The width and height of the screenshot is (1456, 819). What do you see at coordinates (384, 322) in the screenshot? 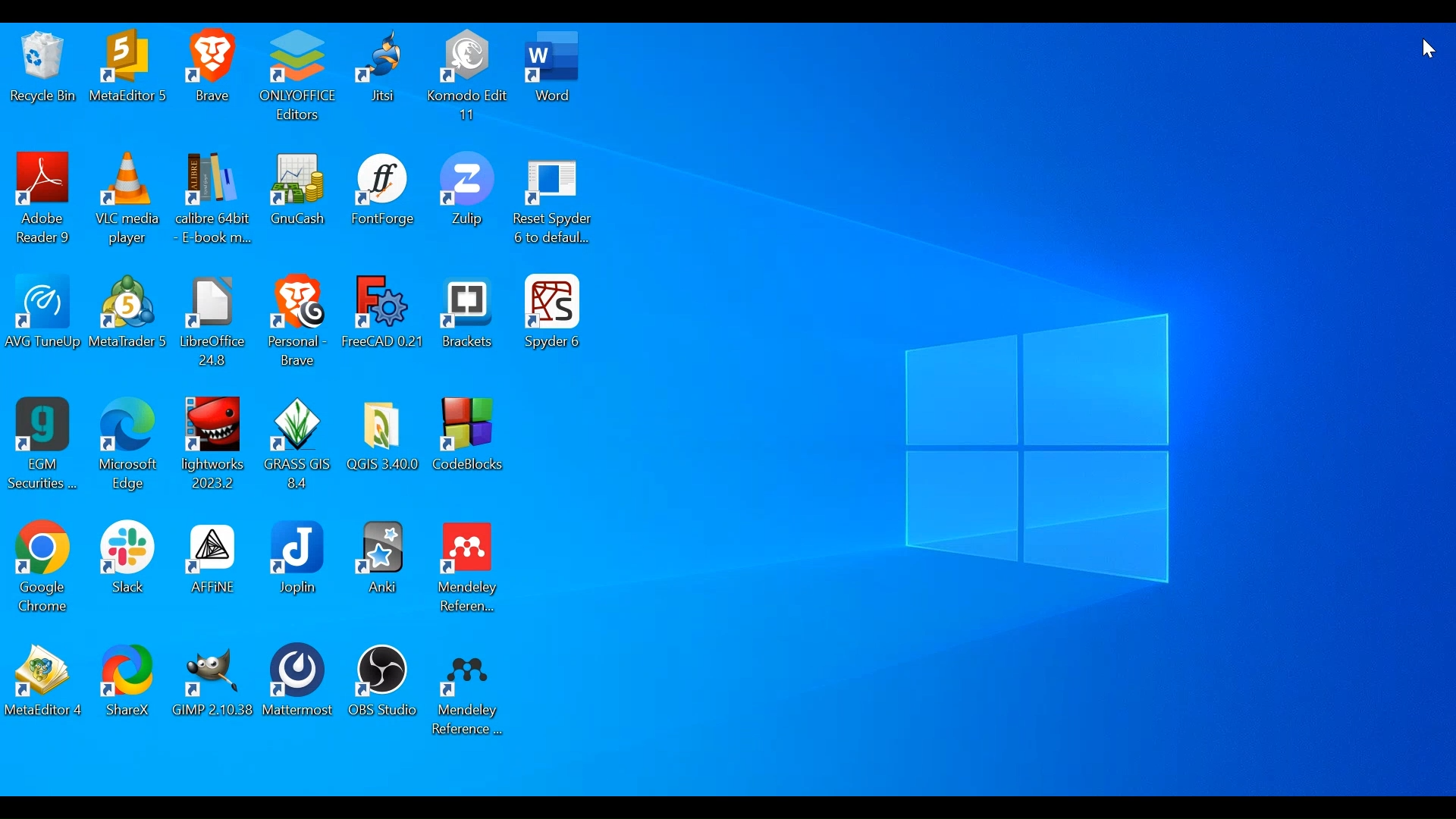
I see `FreeCAD 0.21` at bounding box center [384, 322].